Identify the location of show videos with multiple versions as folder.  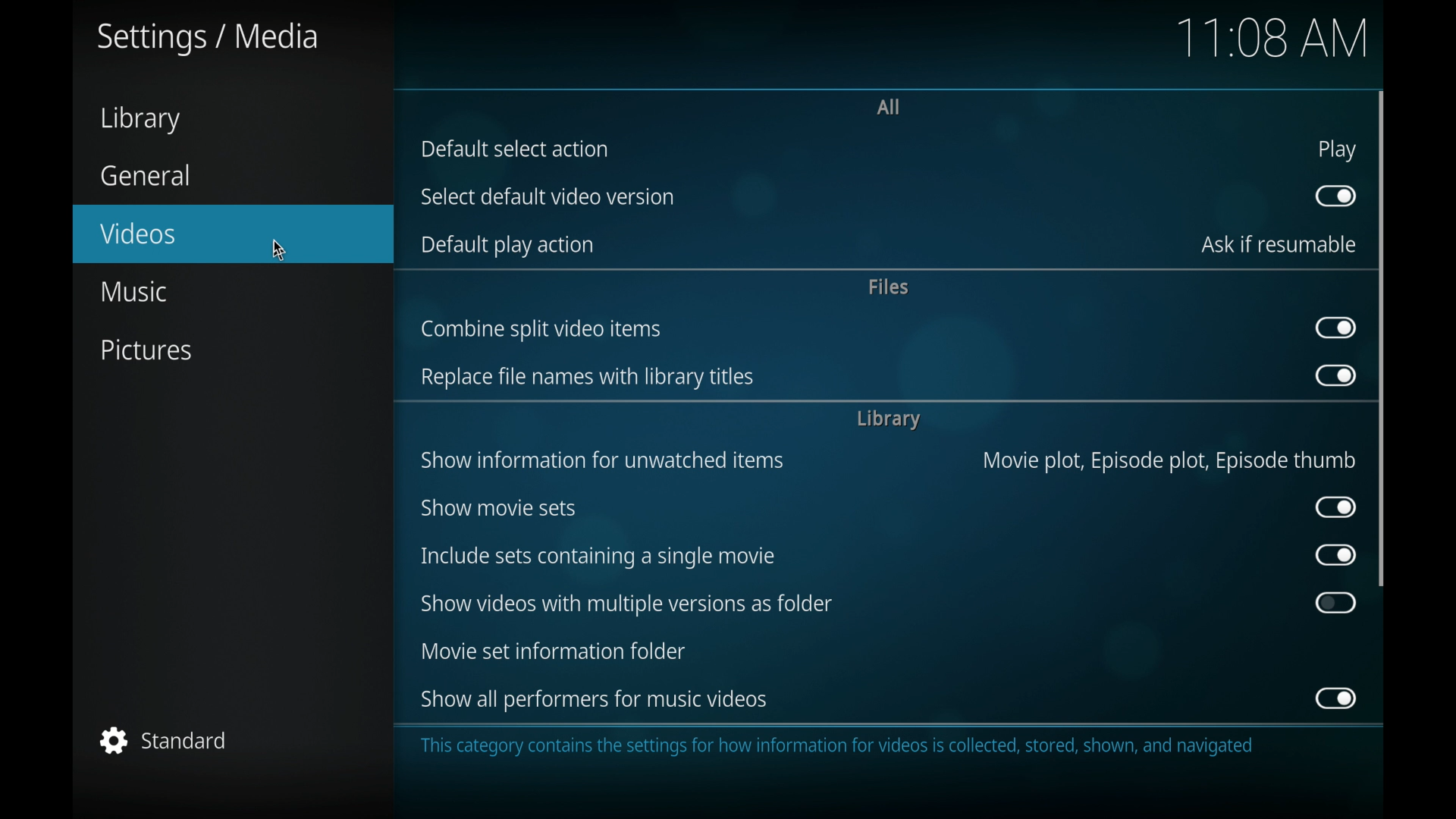
(627, 604).